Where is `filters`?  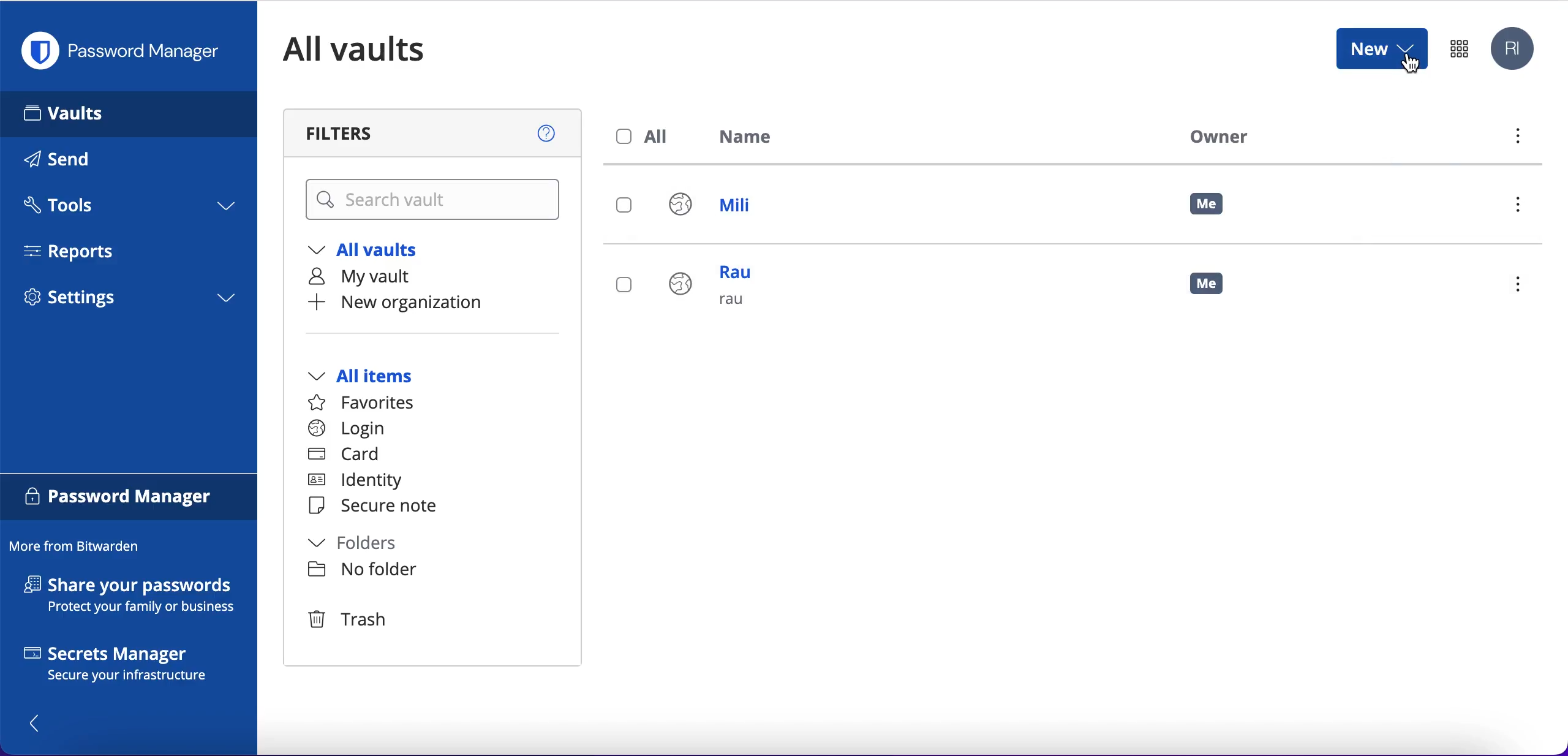 filters is located at coordinates (351, 133).